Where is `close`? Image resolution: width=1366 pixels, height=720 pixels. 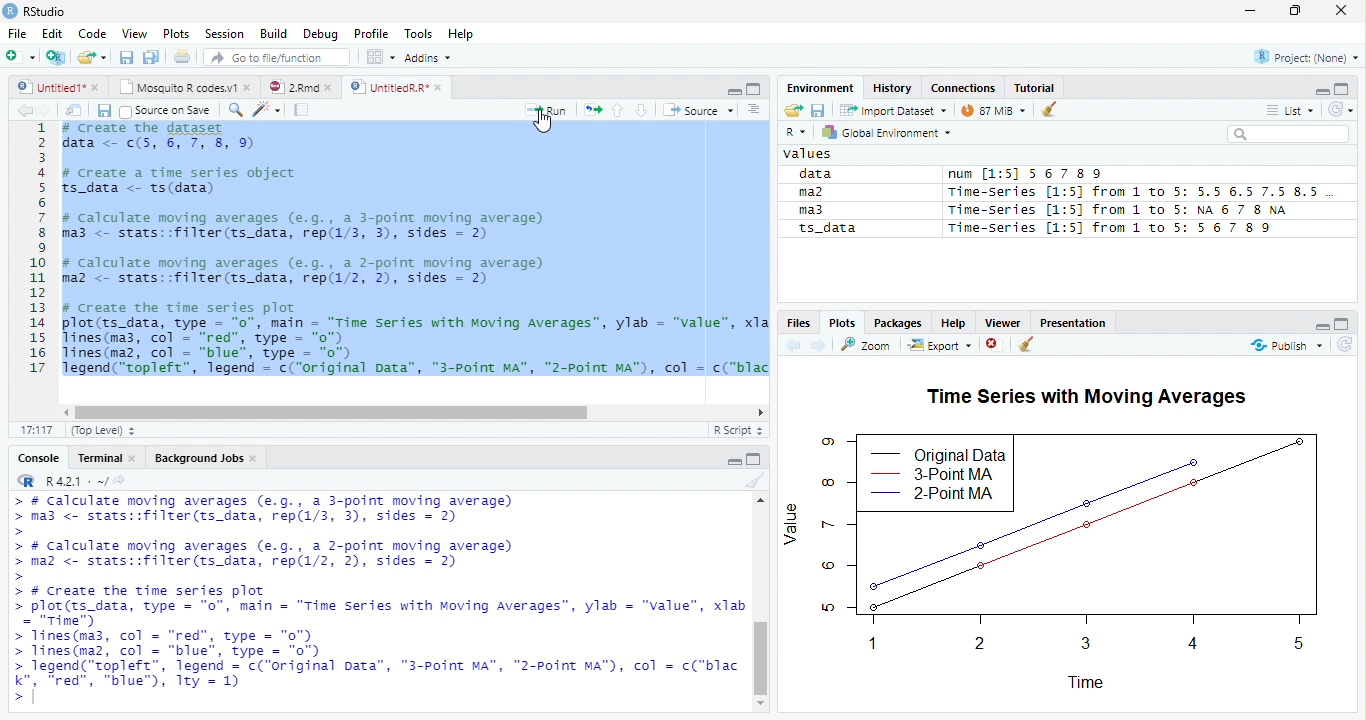 close is located at coordinates (995, 346).